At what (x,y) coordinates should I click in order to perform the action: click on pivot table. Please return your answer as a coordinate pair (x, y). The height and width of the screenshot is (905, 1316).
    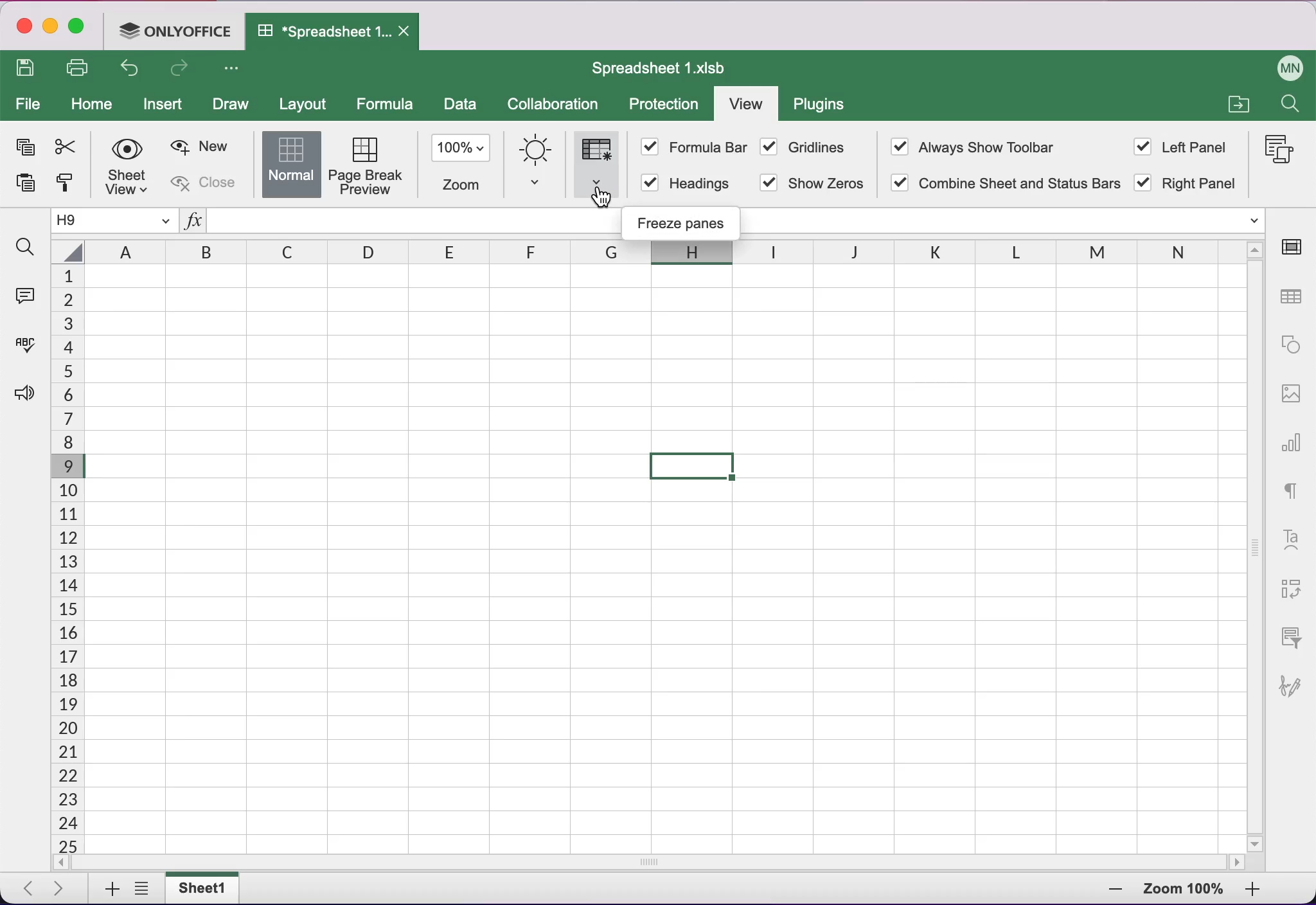
    Looking at the image, I should click on (1295, 584).